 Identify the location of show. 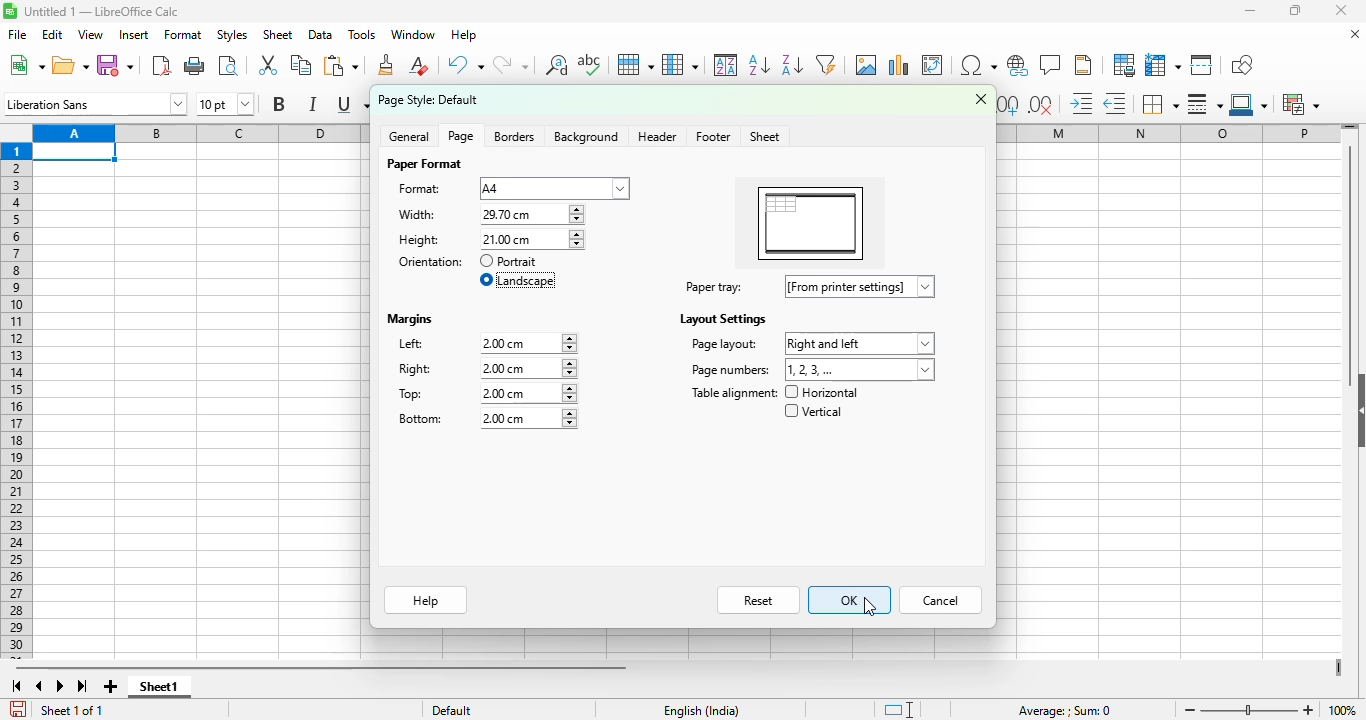
(1357, 409).